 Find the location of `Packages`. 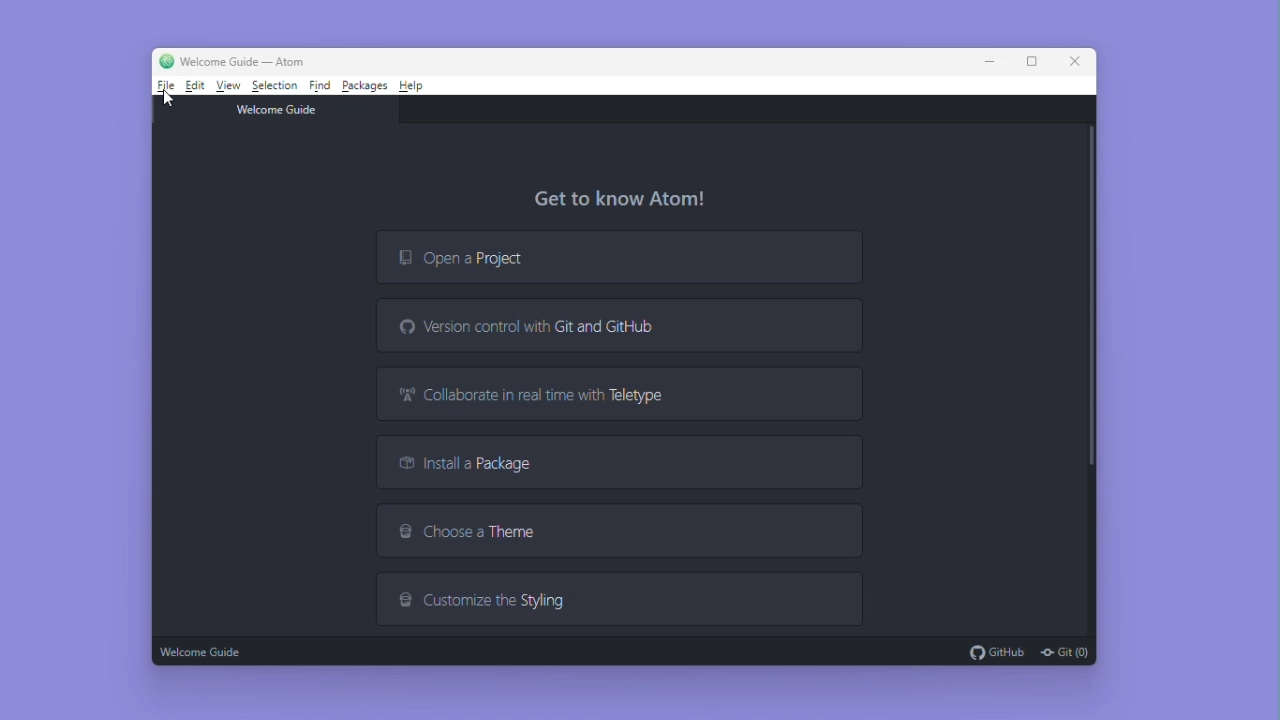

Packages is located at coordinates (365, 85).